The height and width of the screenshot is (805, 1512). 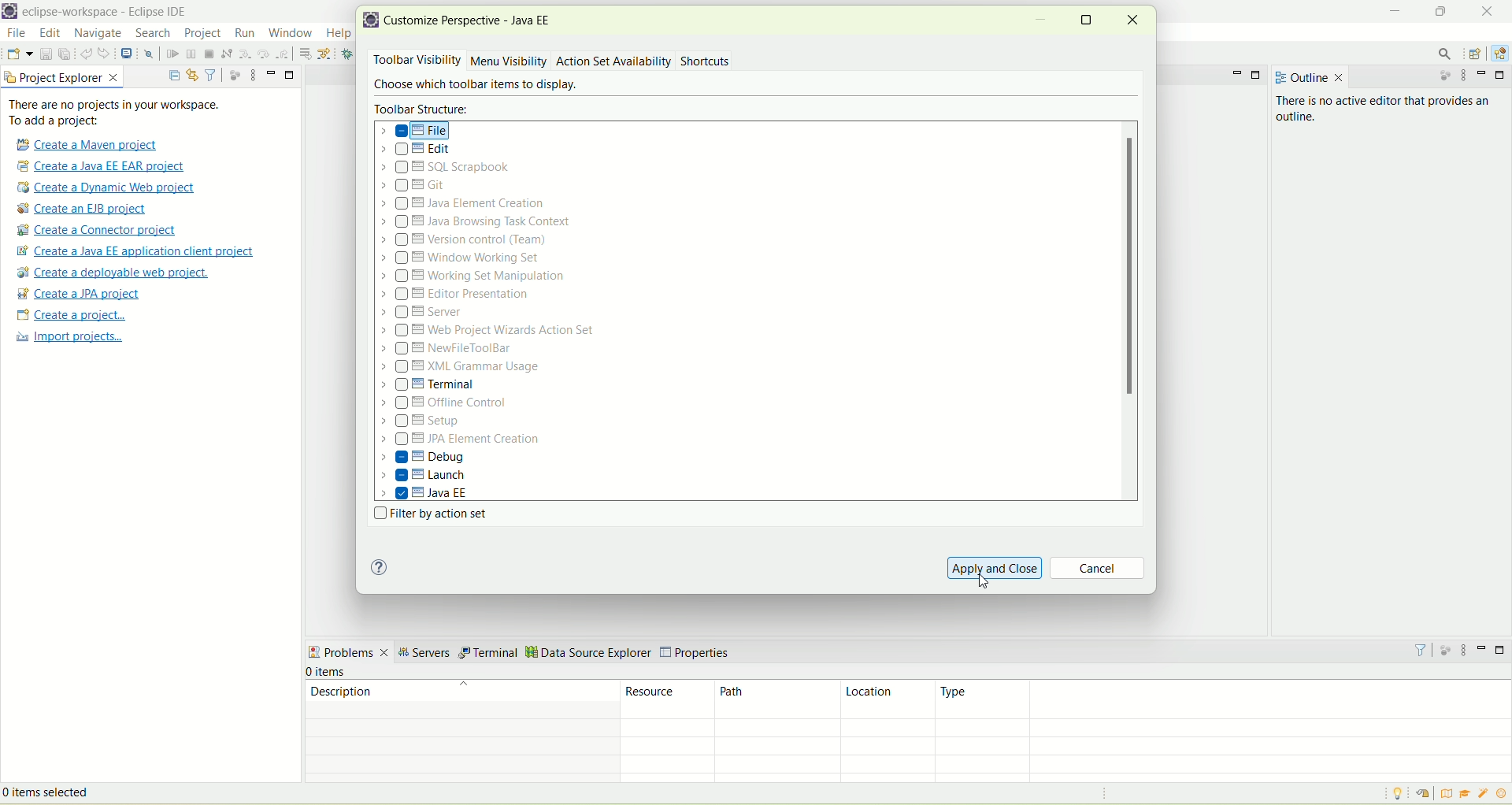 What do you see at coordinates (460, 205) in the screenshot?
I see `Java element creator` at bounding box center [460, 205].